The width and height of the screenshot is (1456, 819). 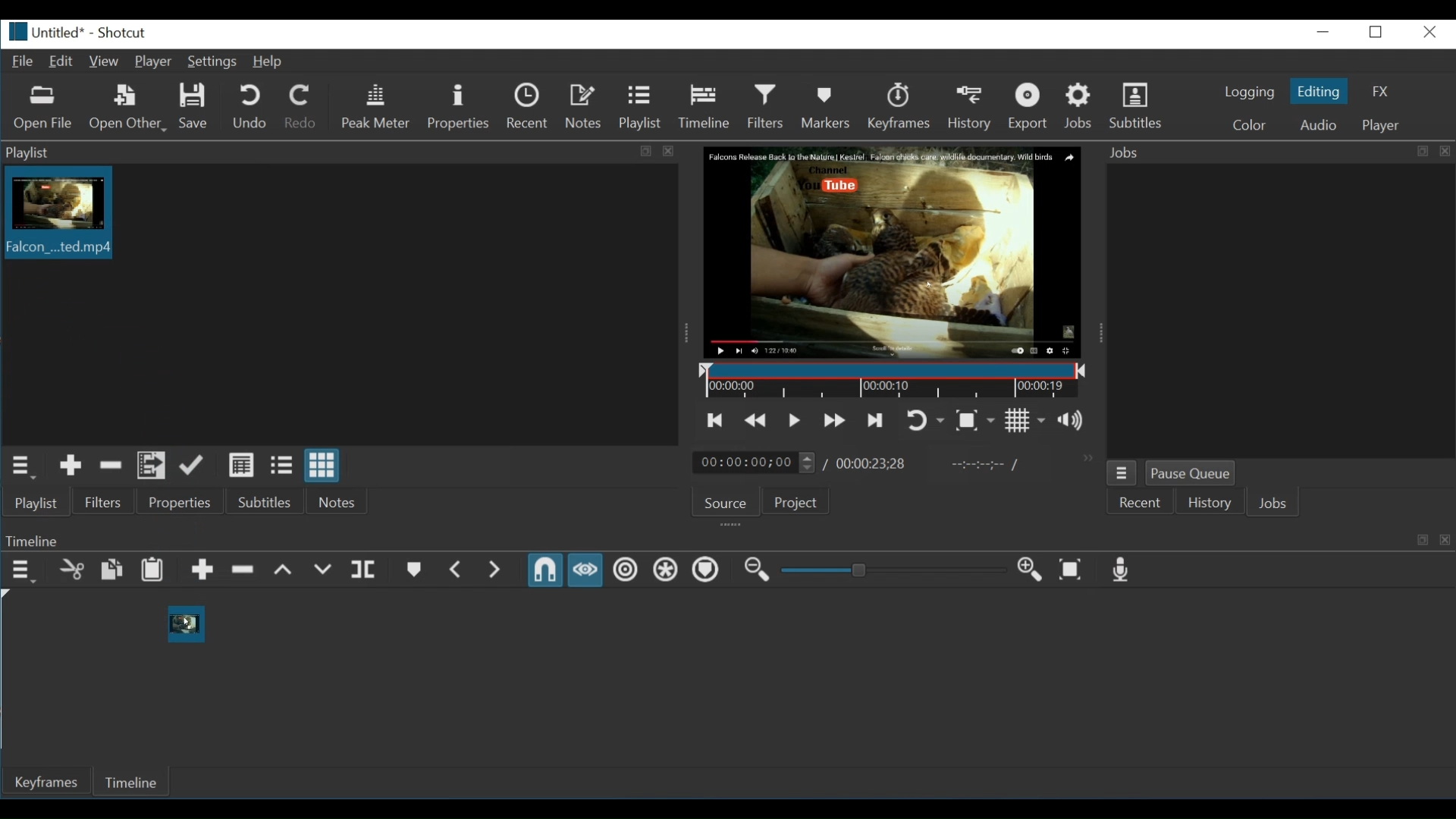 What do you see at coordinates (301, 106) in the screenshot?
I see `Redo` at bounding box center [301, 106].